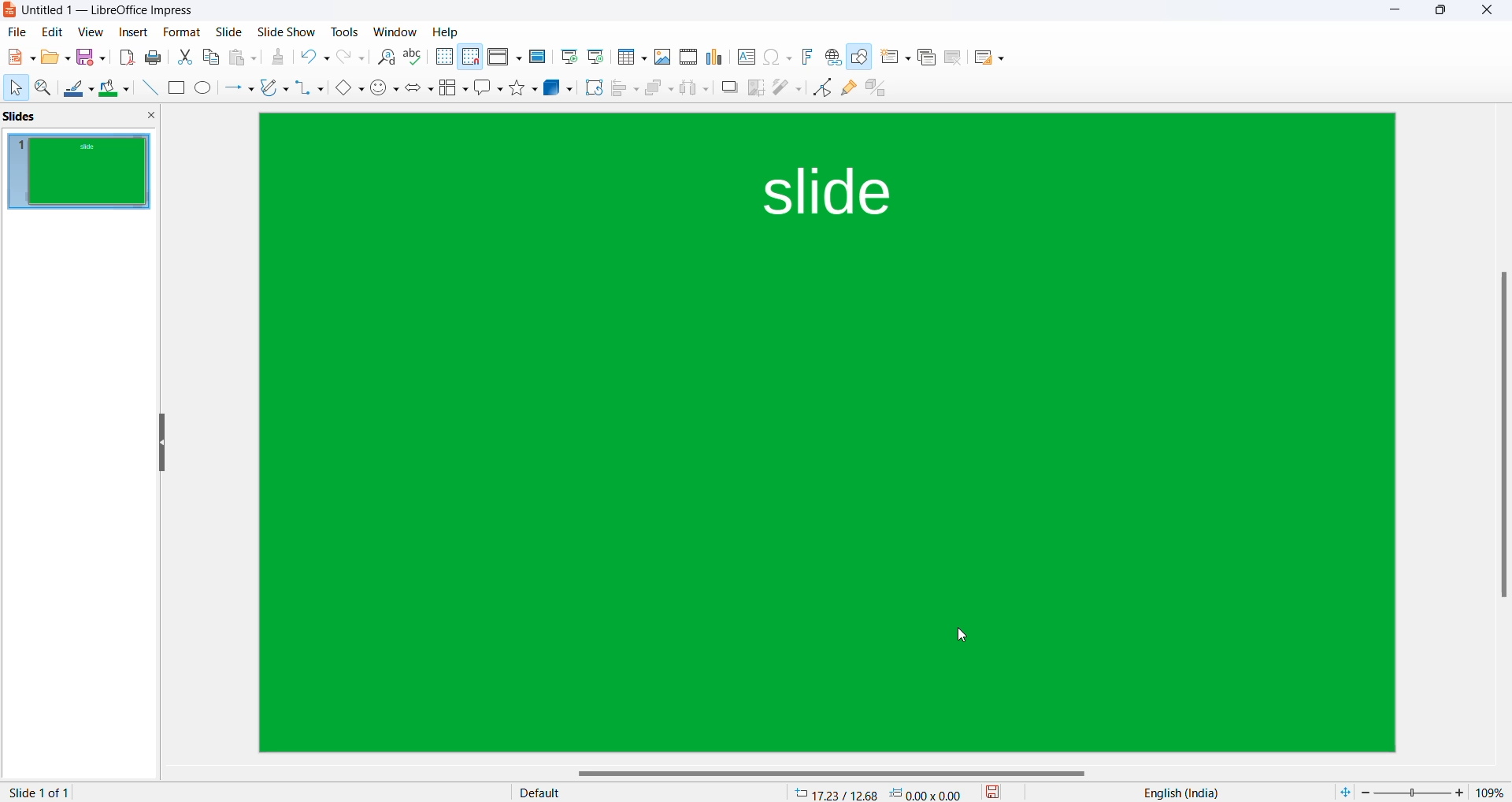  I want to click on zoom and pan , so click(44, 91).